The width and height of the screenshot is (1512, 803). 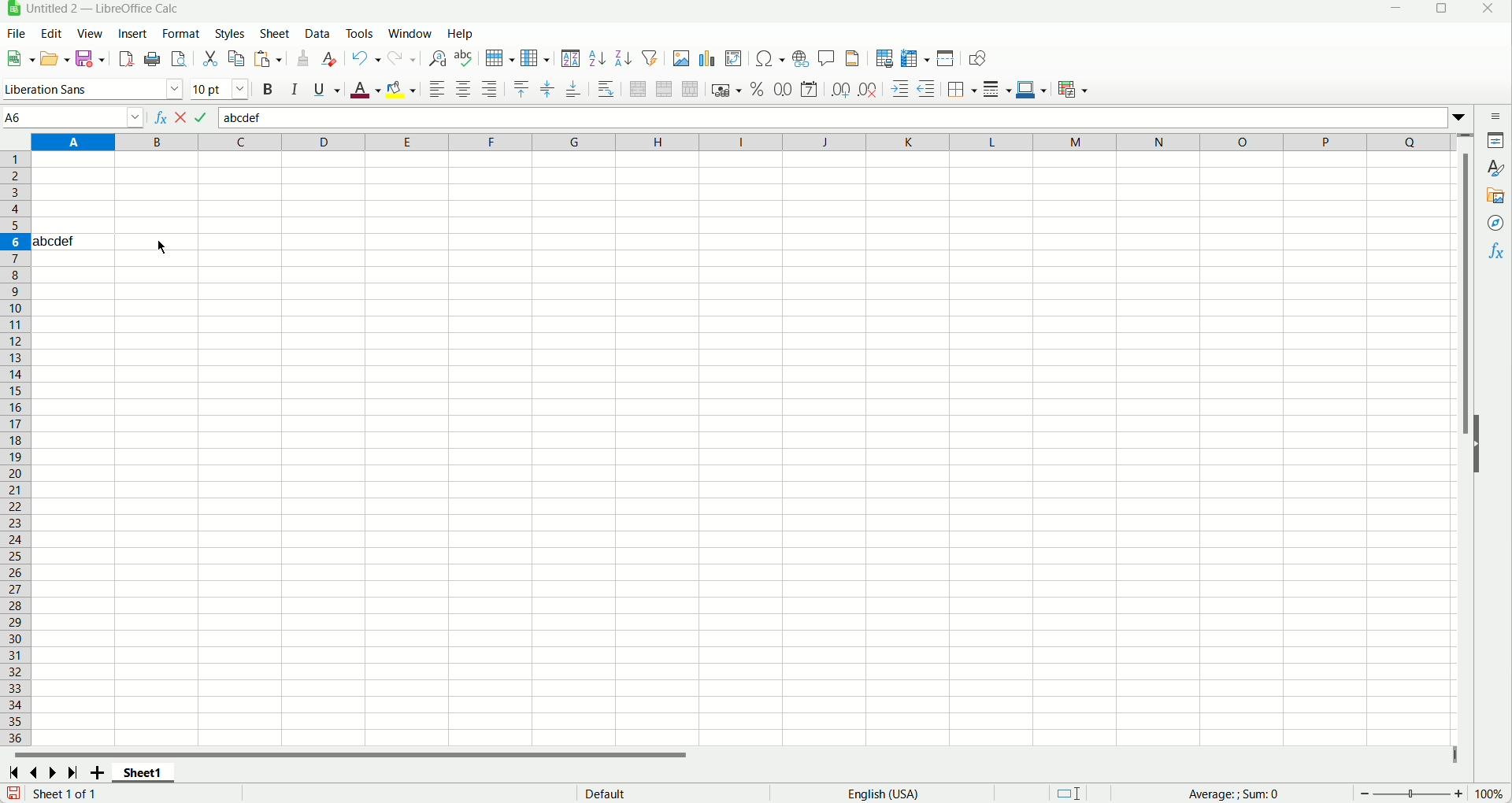 What do you see at coordinates (237, 58) in the screenshot?
I see `copy` at bounding box center [237, 58].